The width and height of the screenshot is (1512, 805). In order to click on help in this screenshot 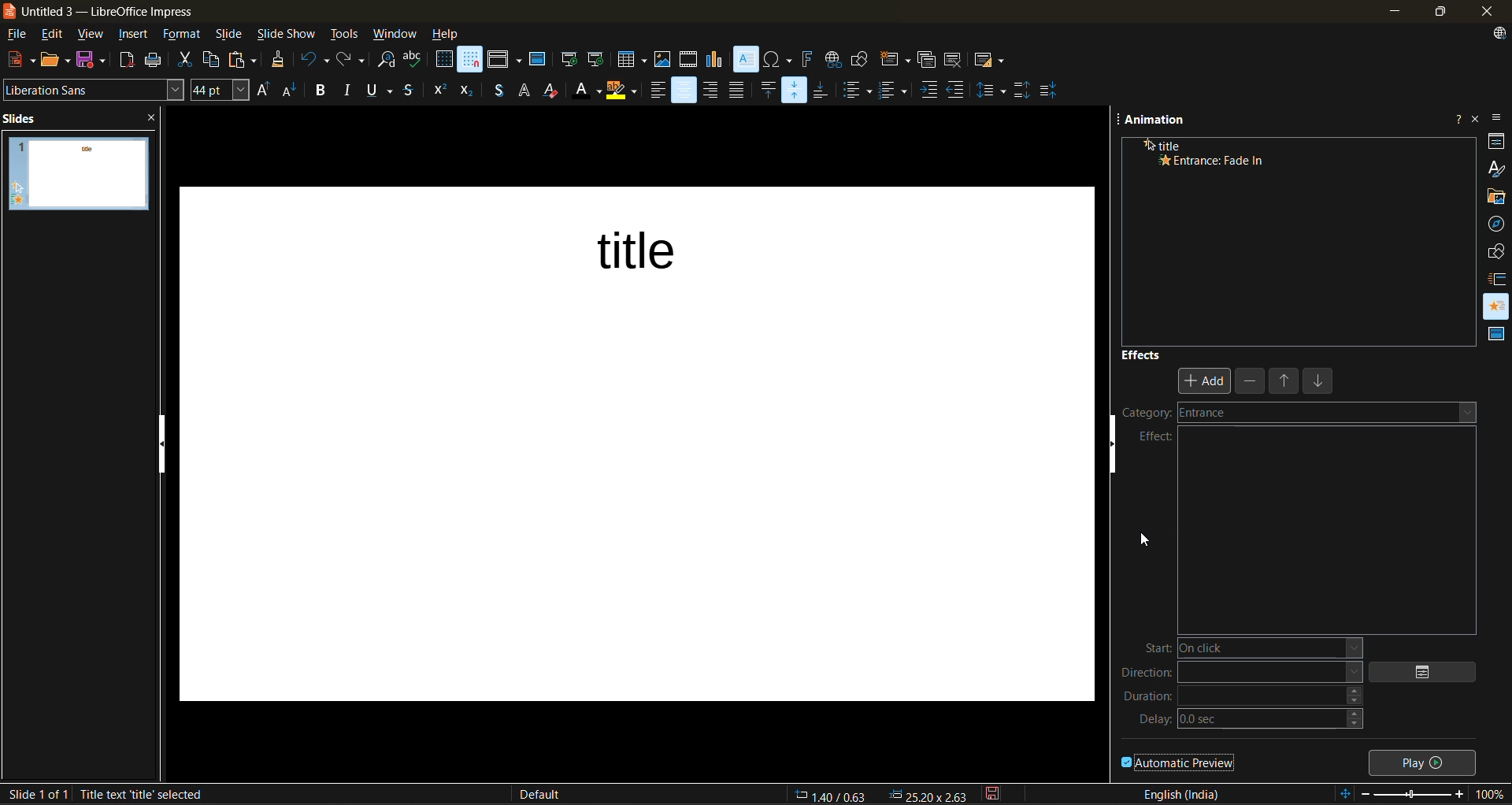, I will do `click(447, 35)`.